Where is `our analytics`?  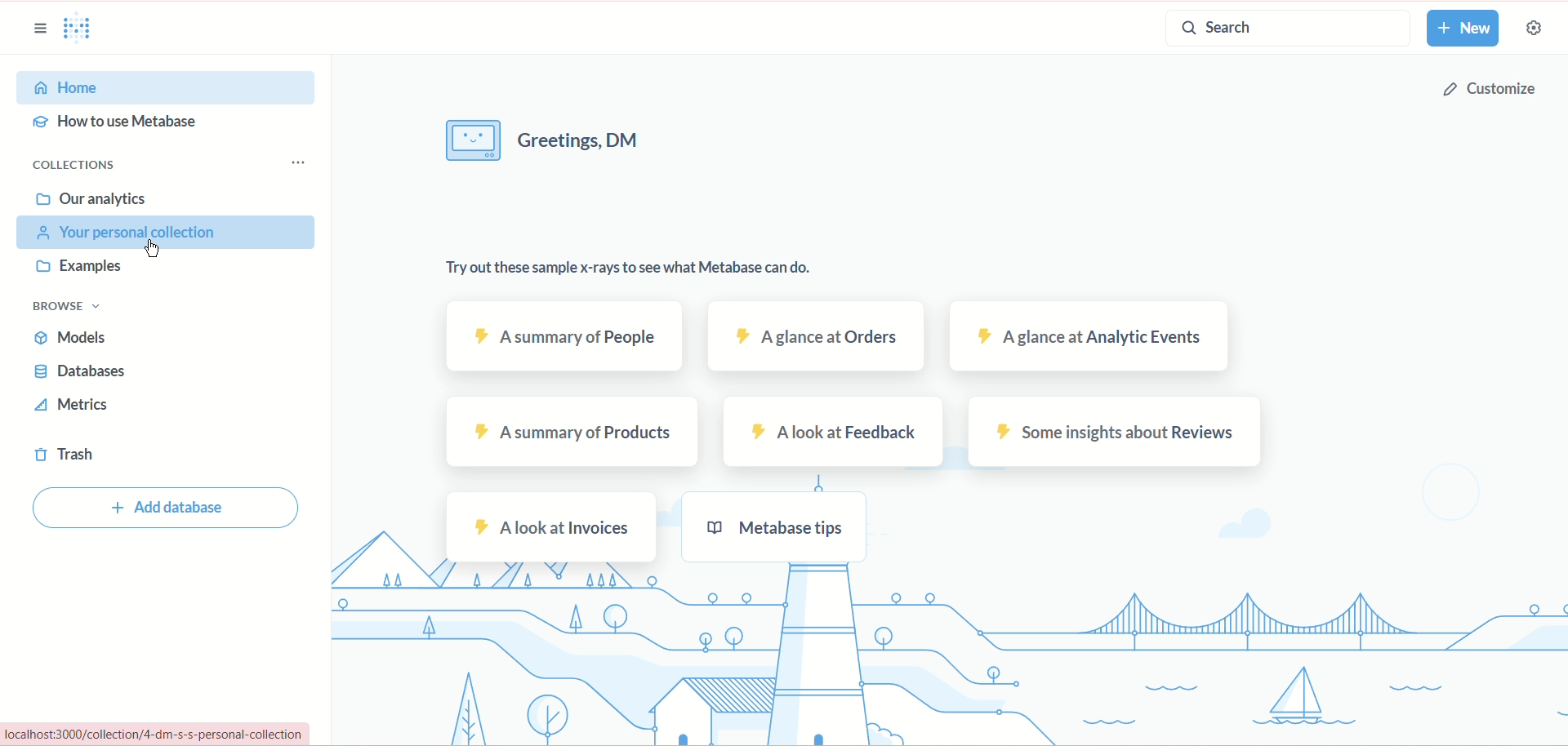
our analytics is located at coordinates (96, 198).